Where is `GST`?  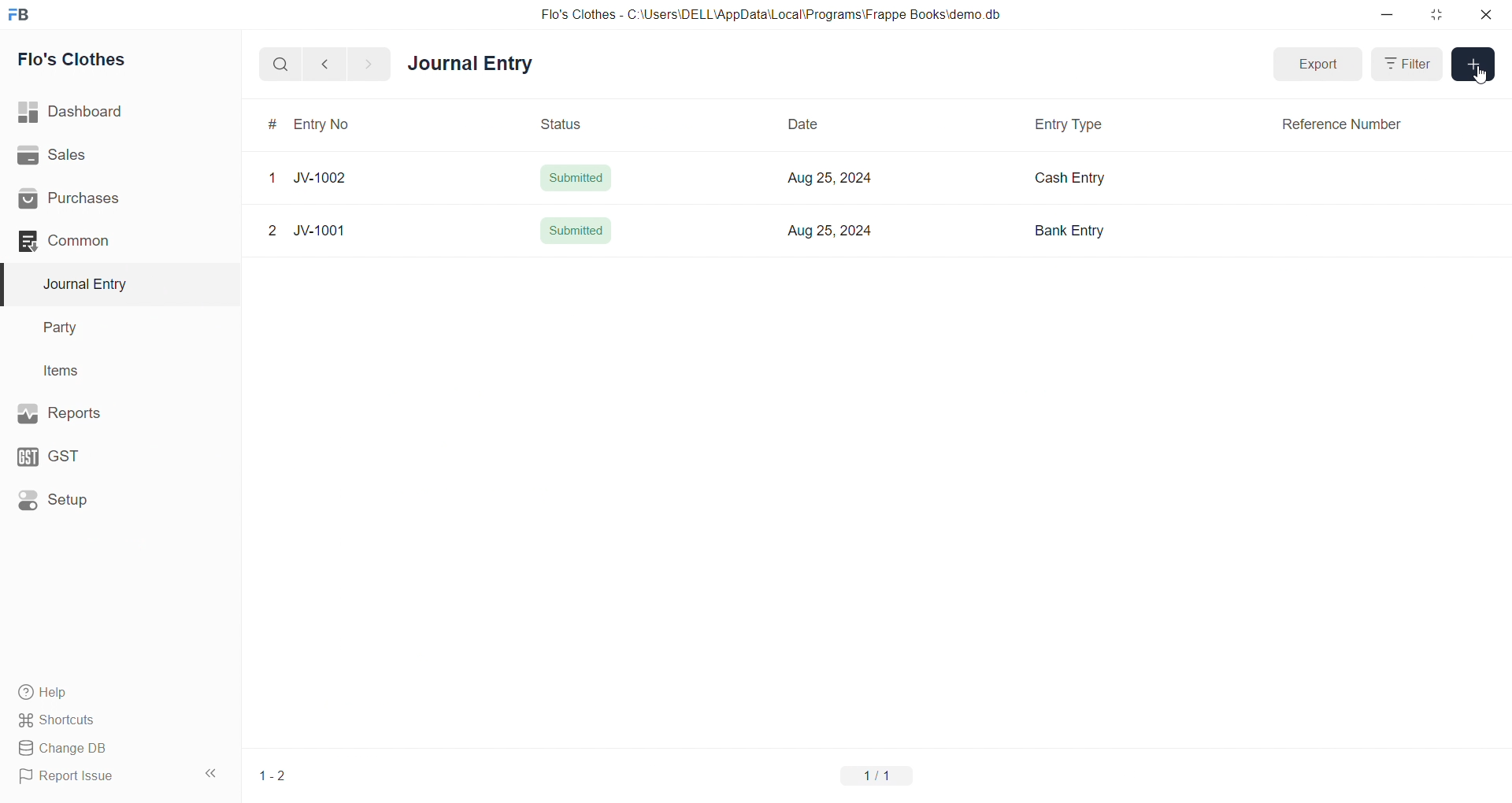 GST is located at coordinates (109, 453).